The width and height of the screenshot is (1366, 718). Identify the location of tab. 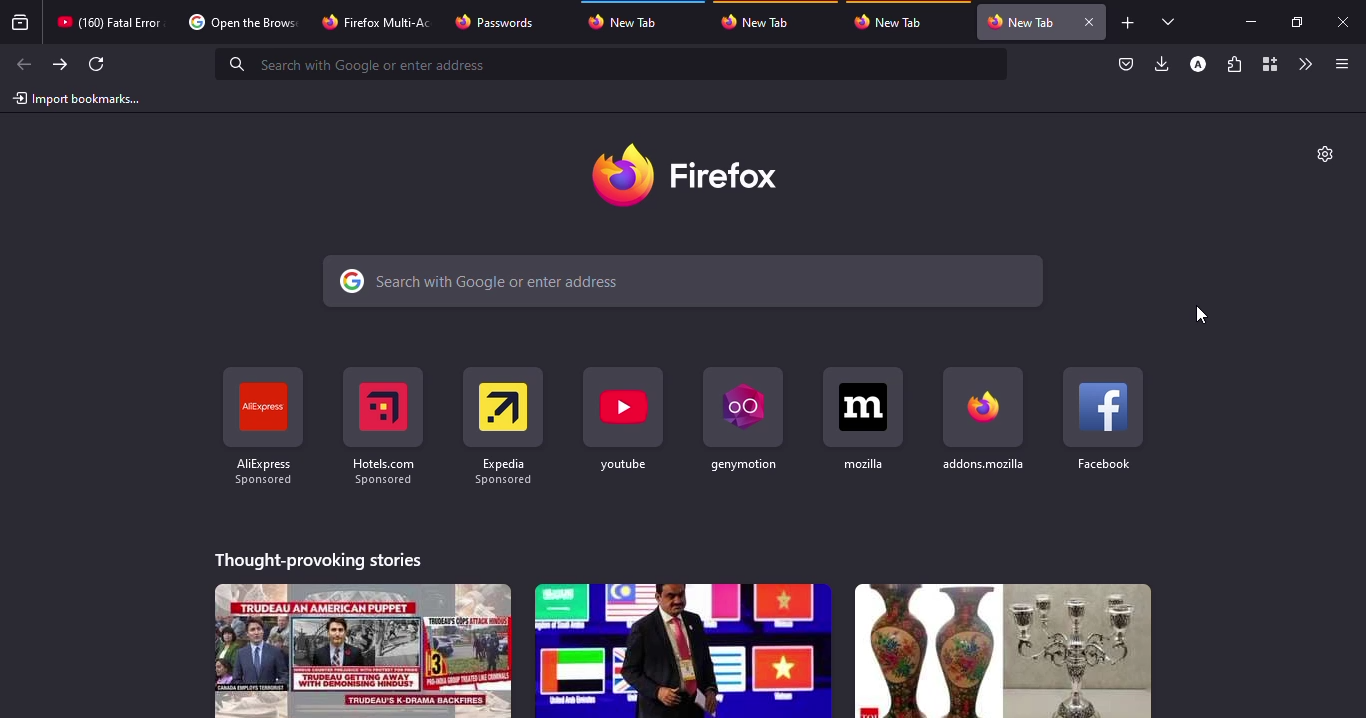
(240, 24).